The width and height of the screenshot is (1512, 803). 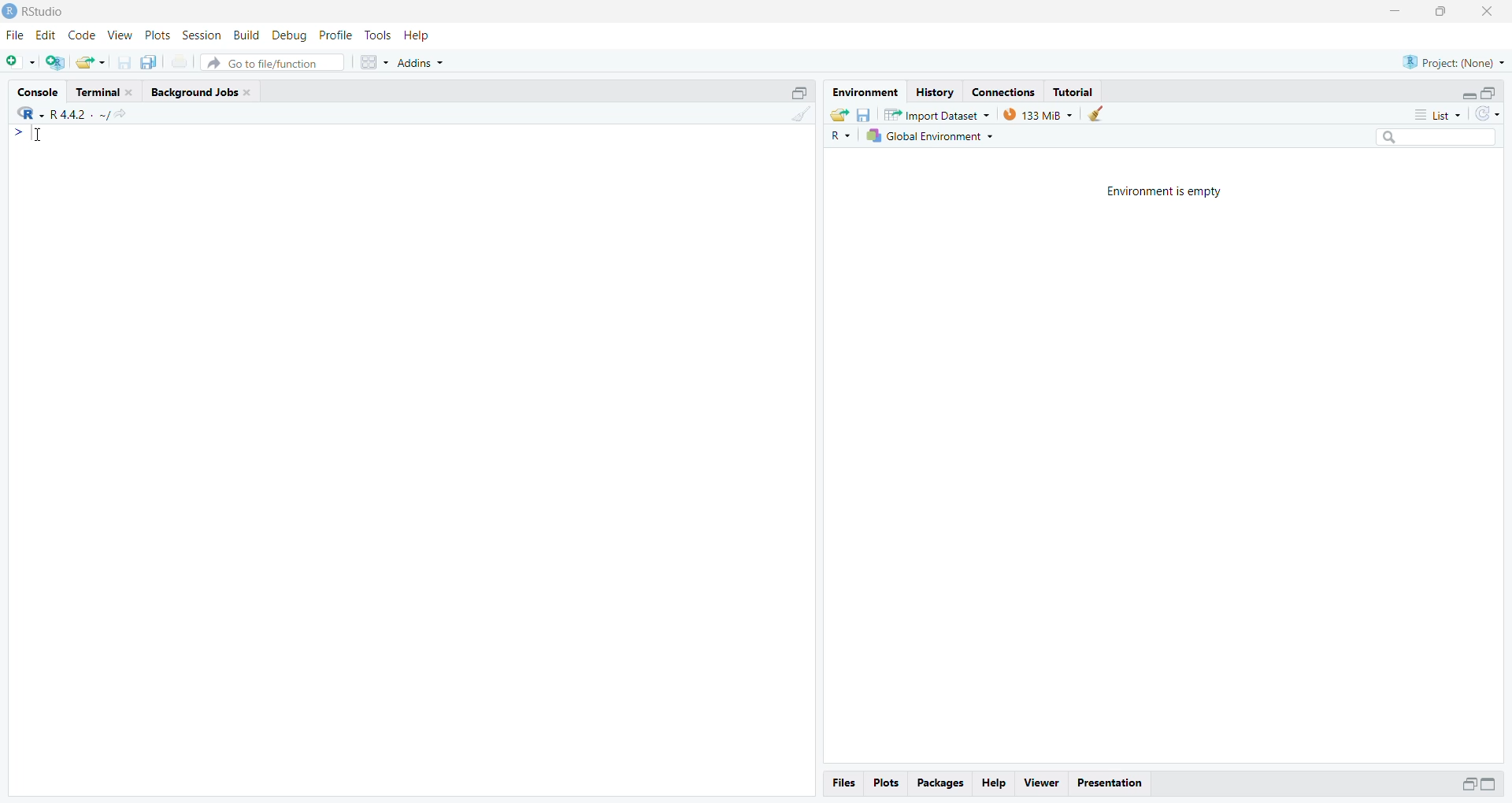 I want to click on Plots, so click(x=161, y=35).